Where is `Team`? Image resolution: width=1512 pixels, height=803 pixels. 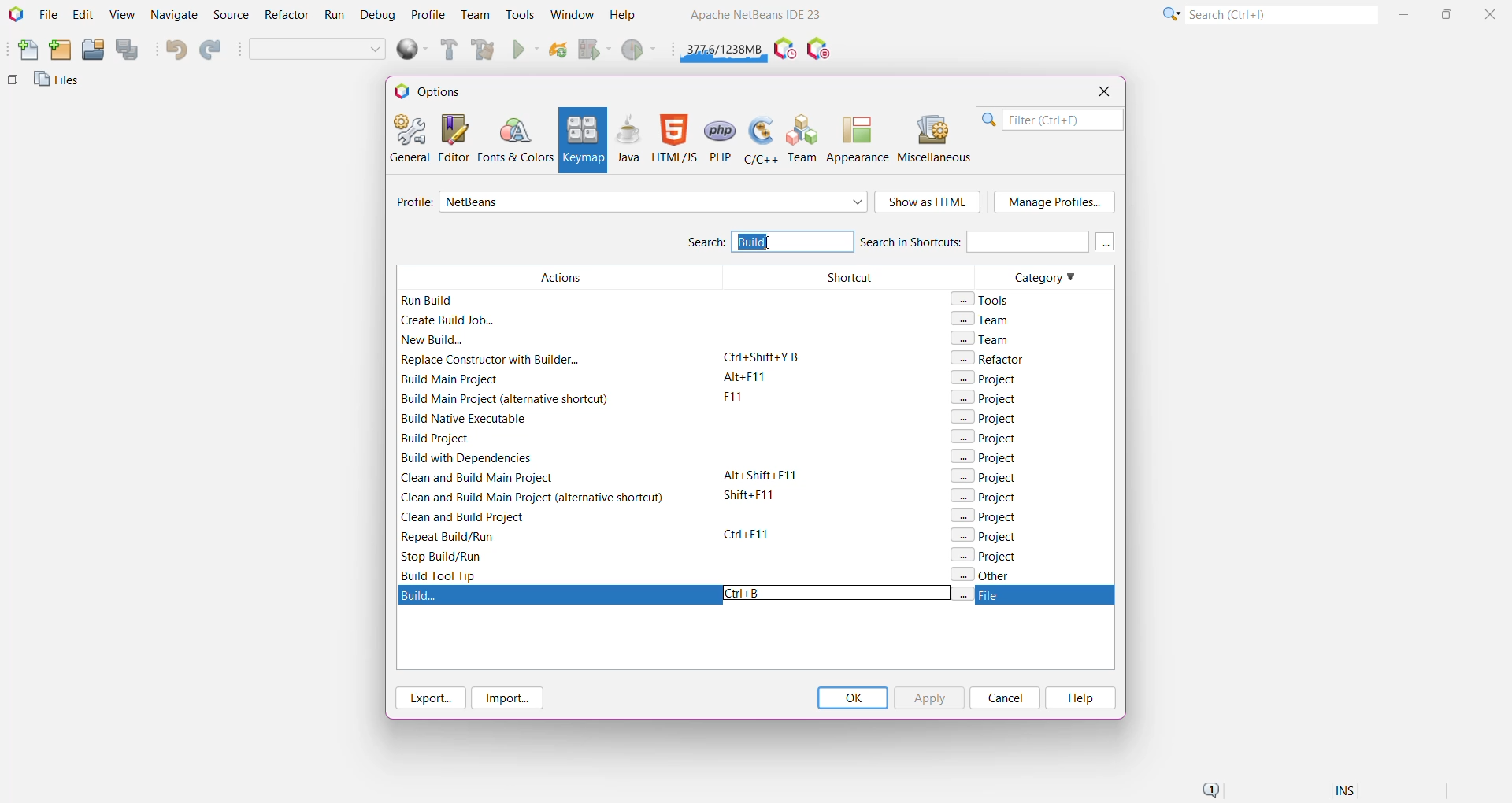 Team is located at coordinates (474, 15).